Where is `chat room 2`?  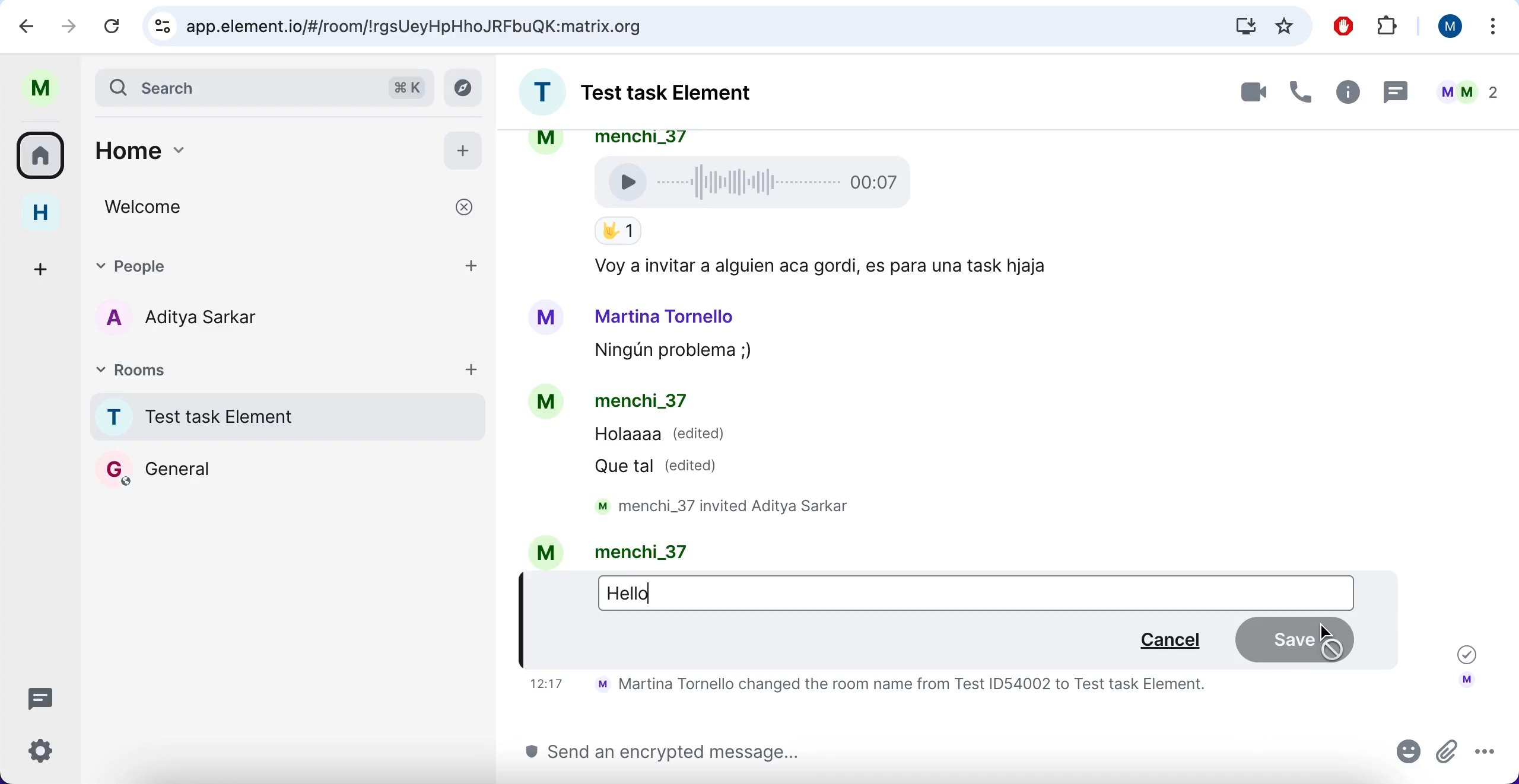 chat room 2 is located at coordinates (224, 471).